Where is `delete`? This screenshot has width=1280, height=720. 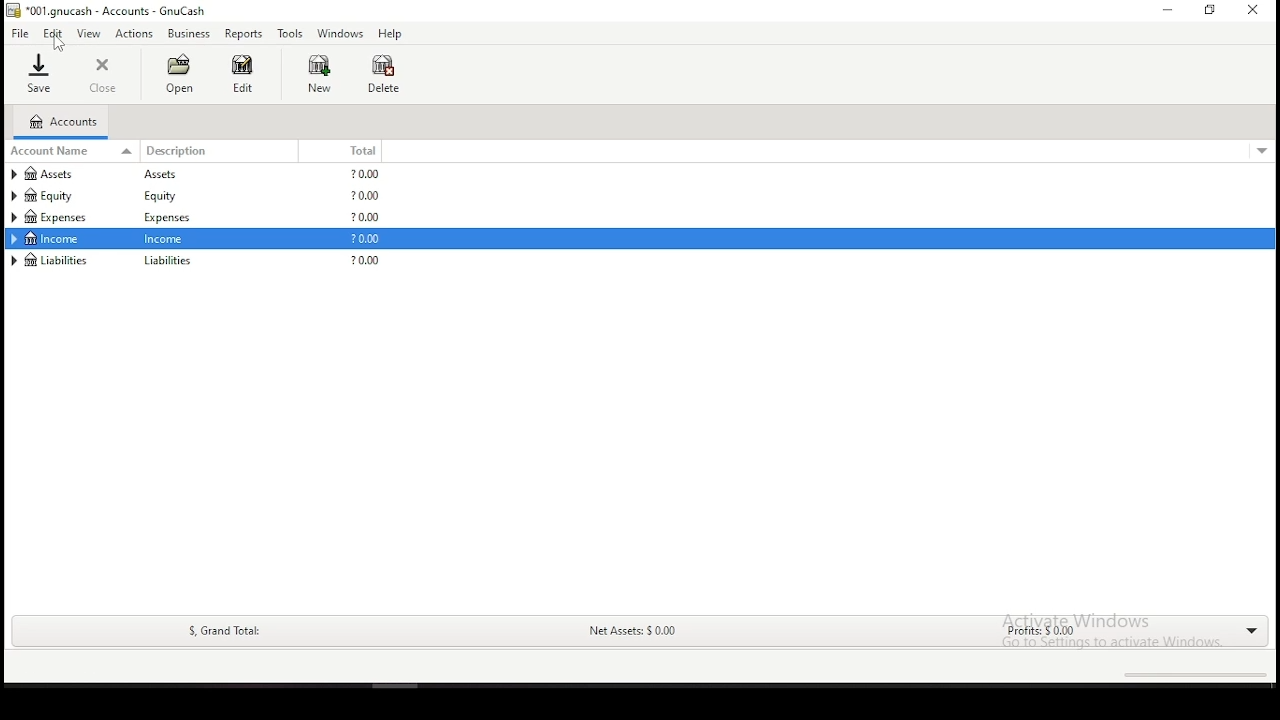 delete is located at coordinates (384, 74).